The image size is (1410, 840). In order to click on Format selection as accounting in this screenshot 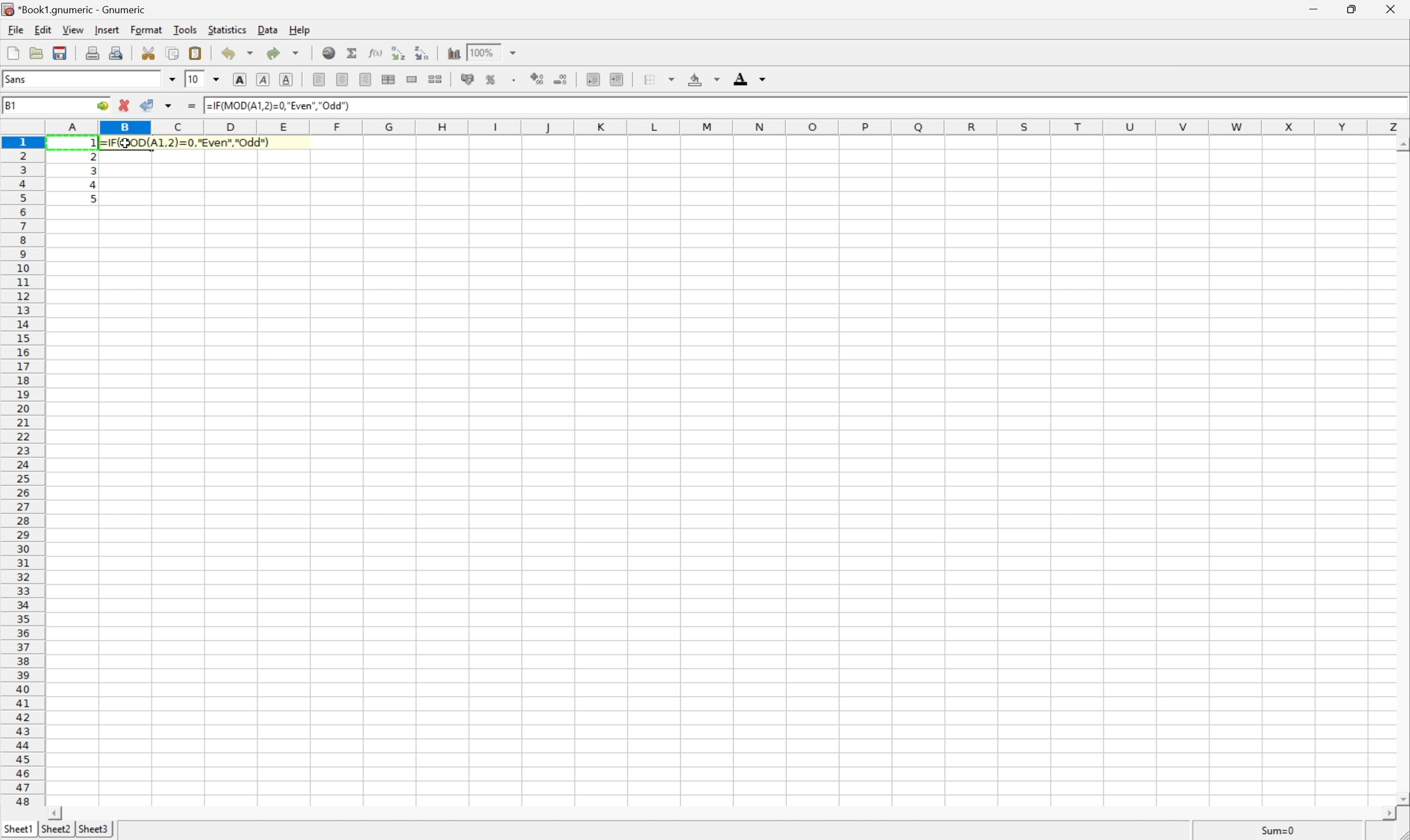, I will do `click(466, 79)`.